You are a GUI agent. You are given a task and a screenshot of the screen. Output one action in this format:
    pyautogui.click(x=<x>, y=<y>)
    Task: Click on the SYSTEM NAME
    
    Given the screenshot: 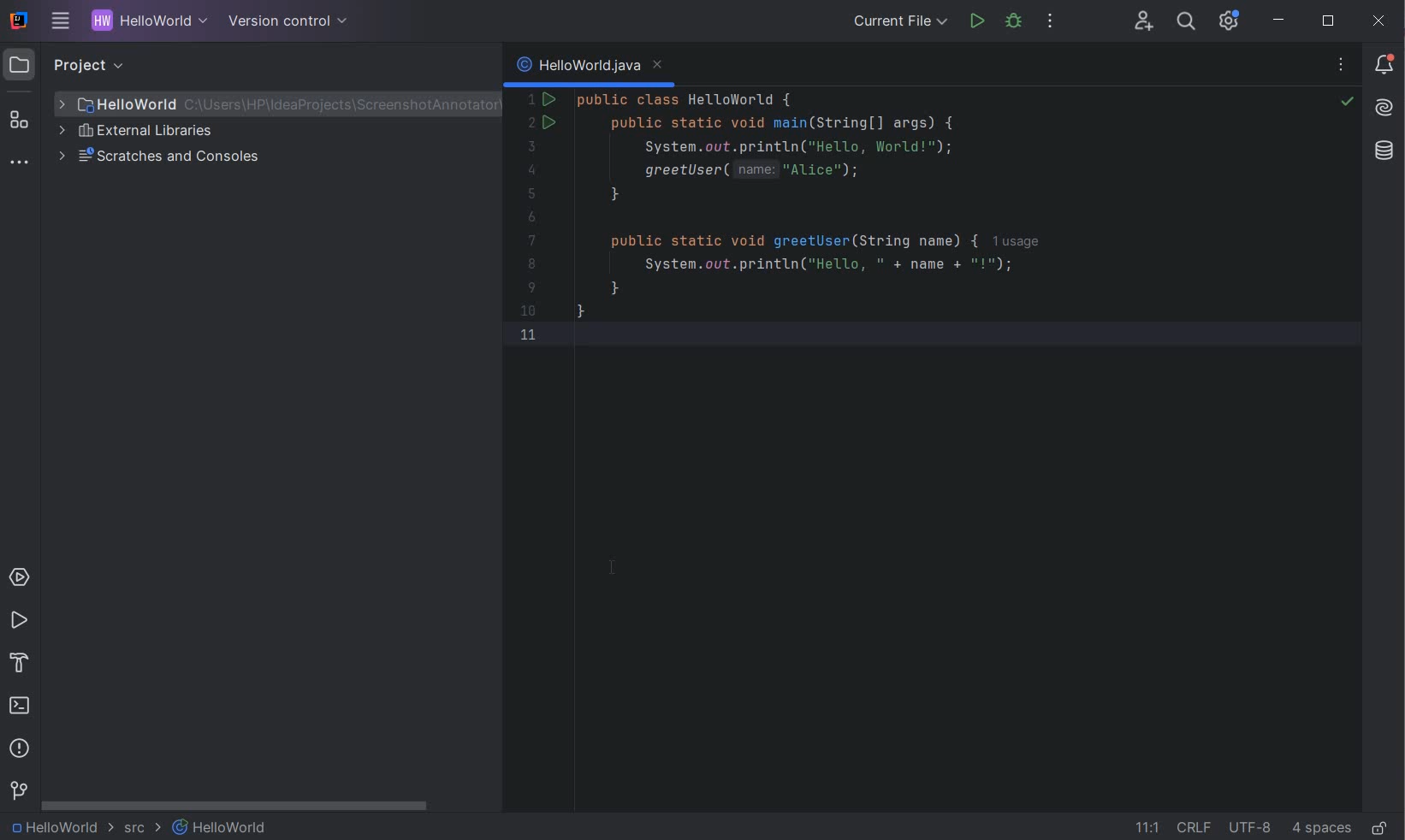 What is the action you would take?
    pyautogui.click(x=16, y=21)
    